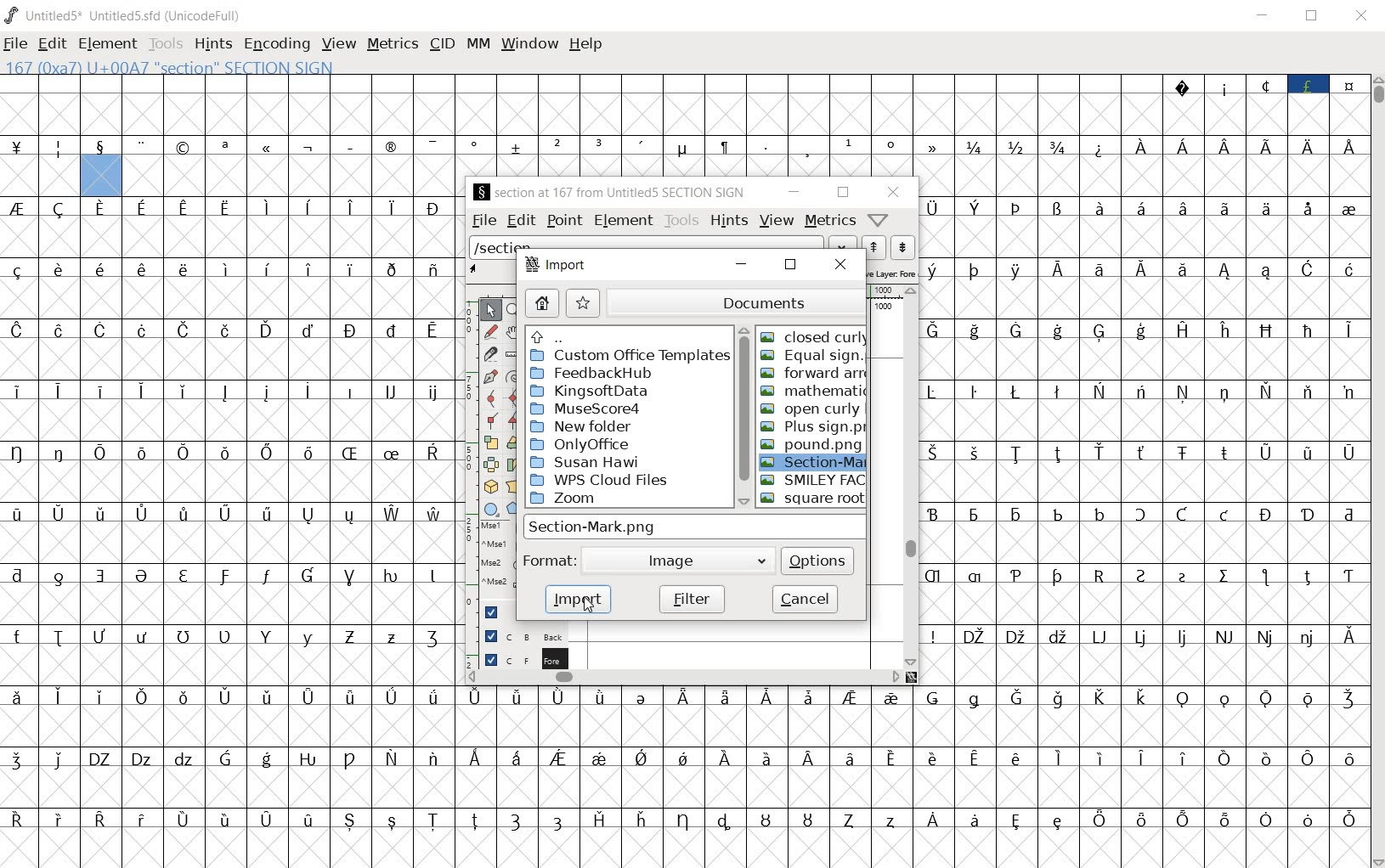 This screenshot has width=1385, height=868. I want to click on MINIMIZE, so click(1265, 15).